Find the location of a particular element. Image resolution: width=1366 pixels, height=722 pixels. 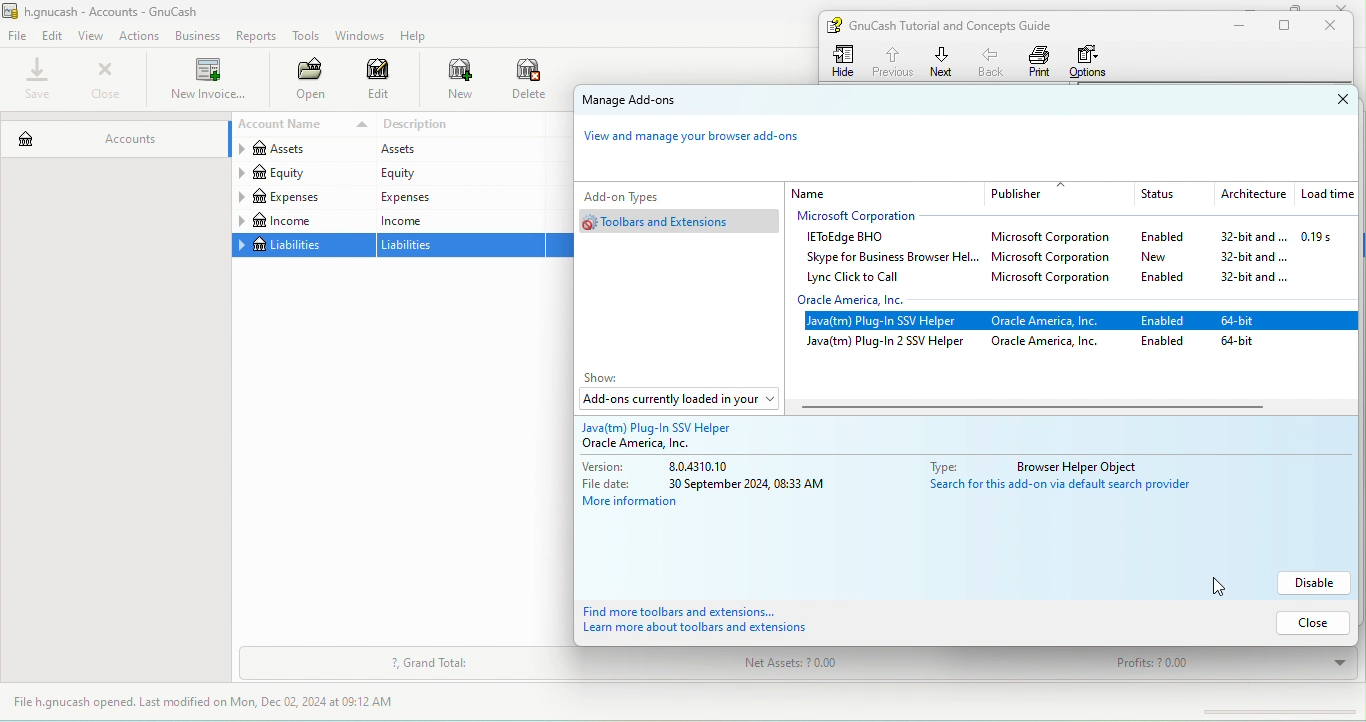

close is located at coordinates (1347, 6).